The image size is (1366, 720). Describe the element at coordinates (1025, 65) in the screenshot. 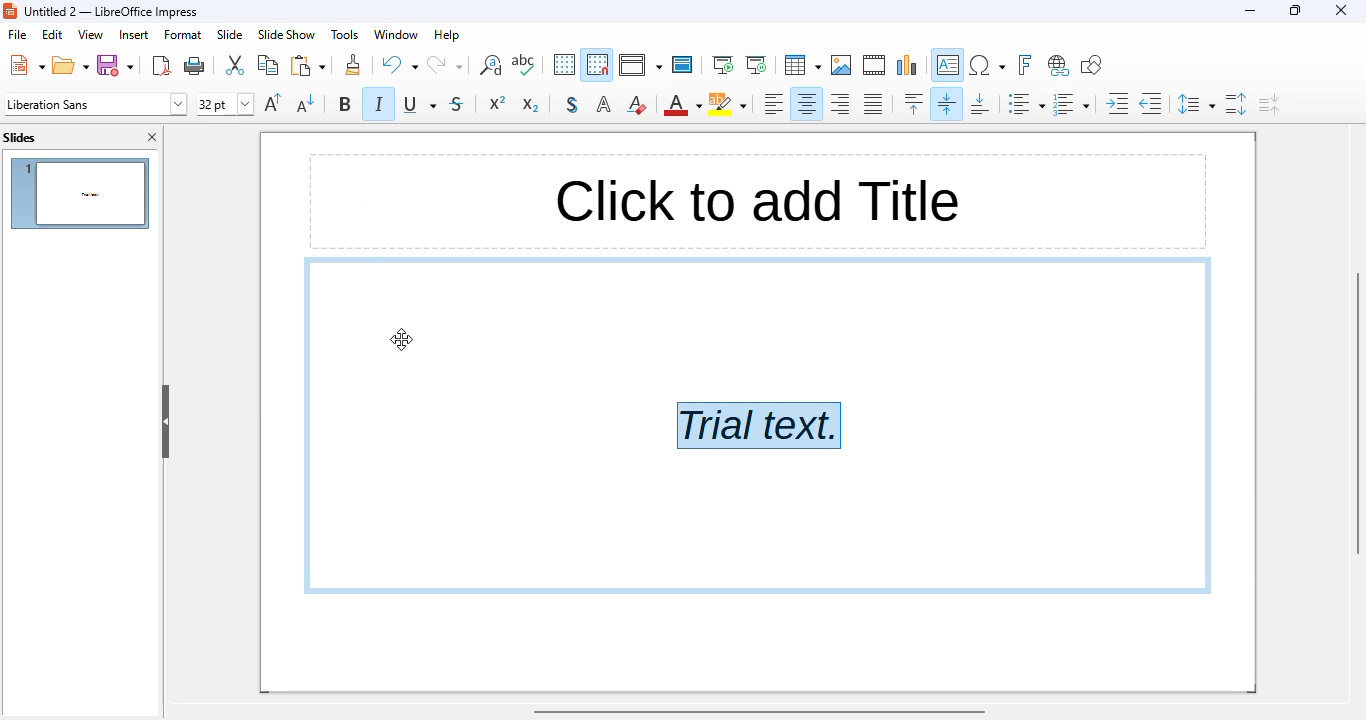

I see `insert fontwork text` at that location.